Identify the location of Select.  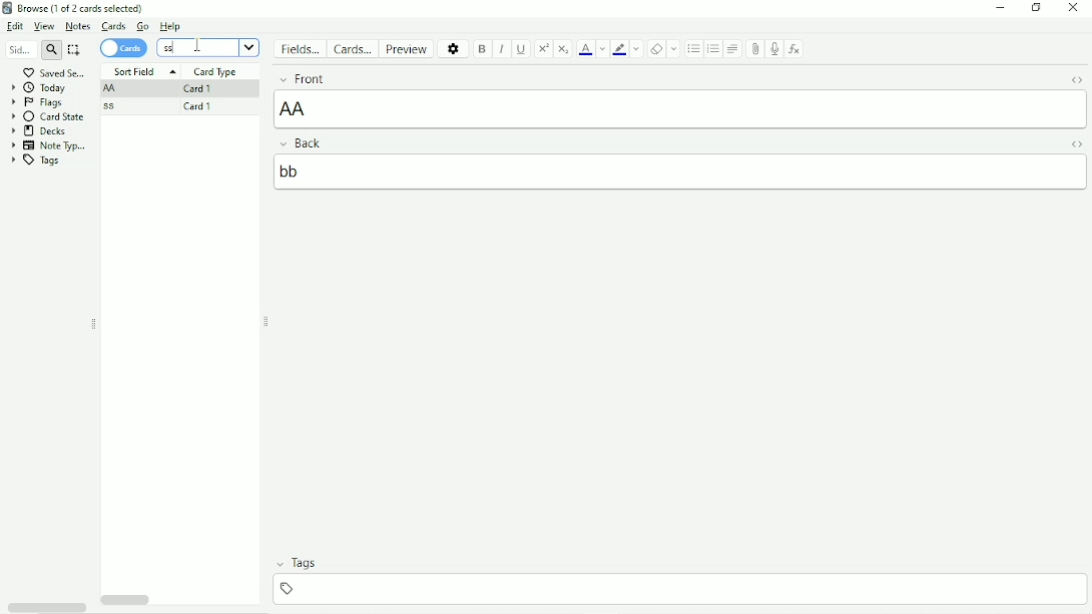
(75, 50).